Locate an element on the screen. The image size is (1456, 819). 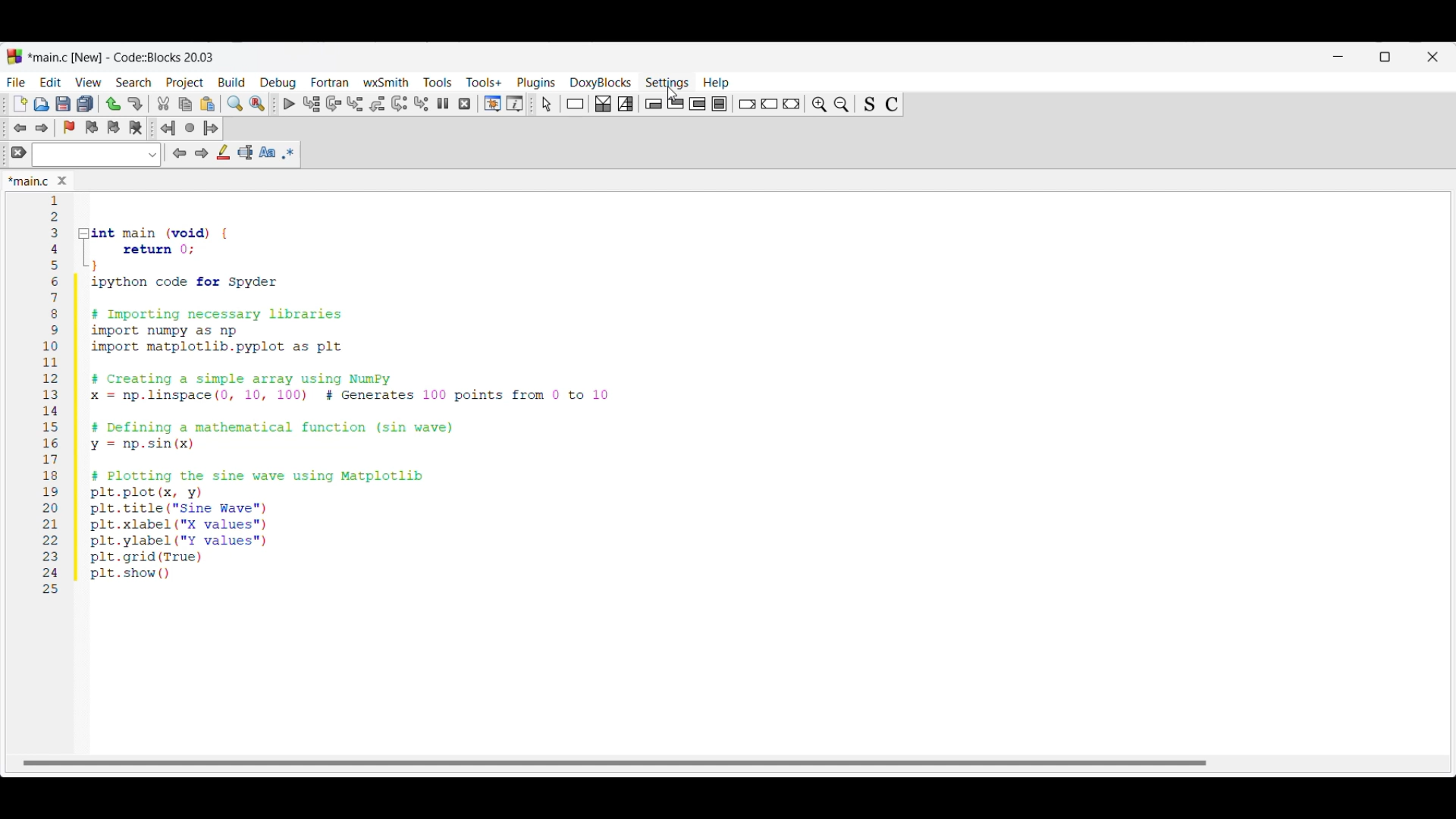
Toggle forward is located at coordinates (42, 128).